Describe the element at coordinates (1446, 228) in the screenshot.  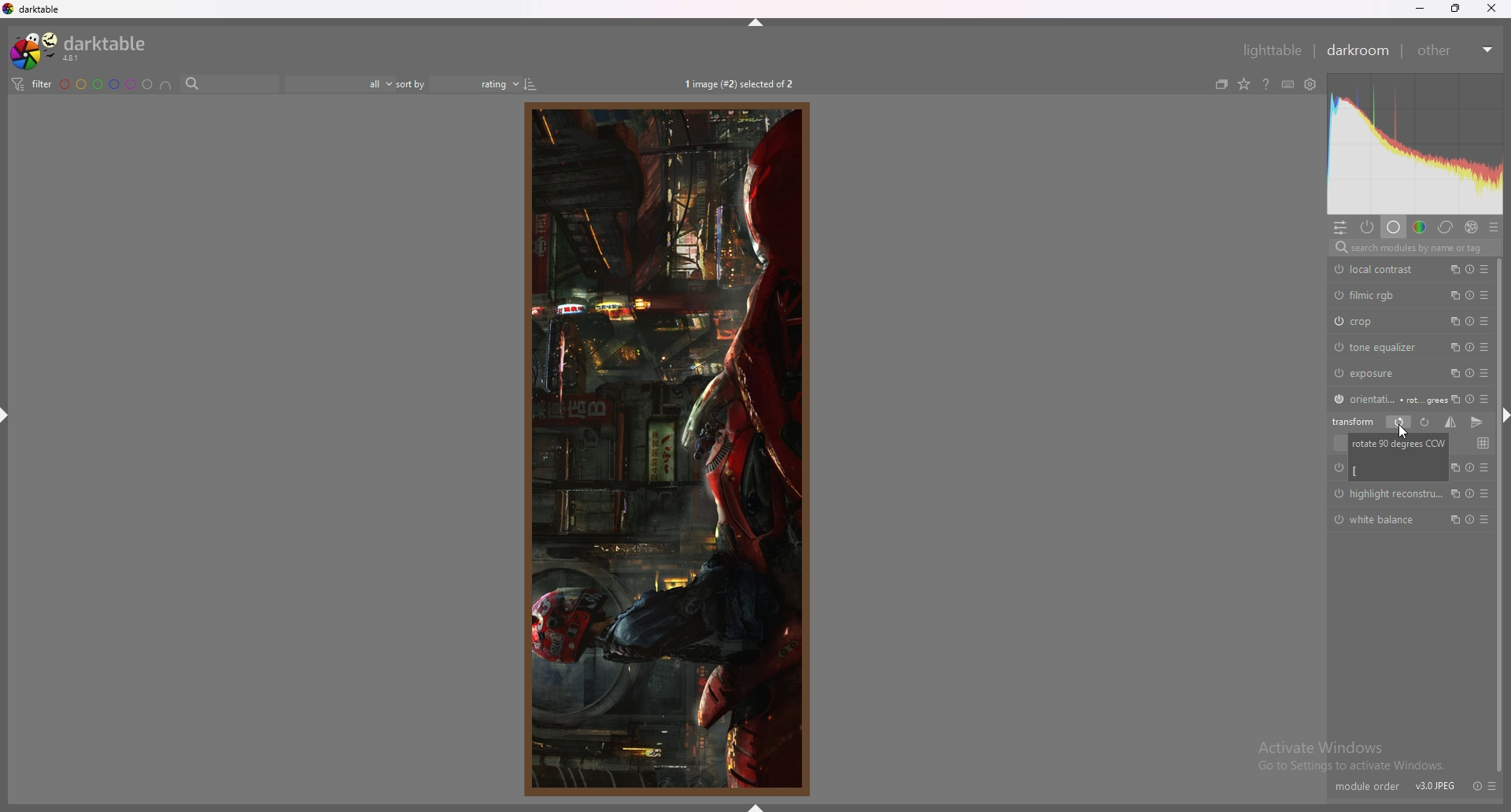
I see `correct` at that location.